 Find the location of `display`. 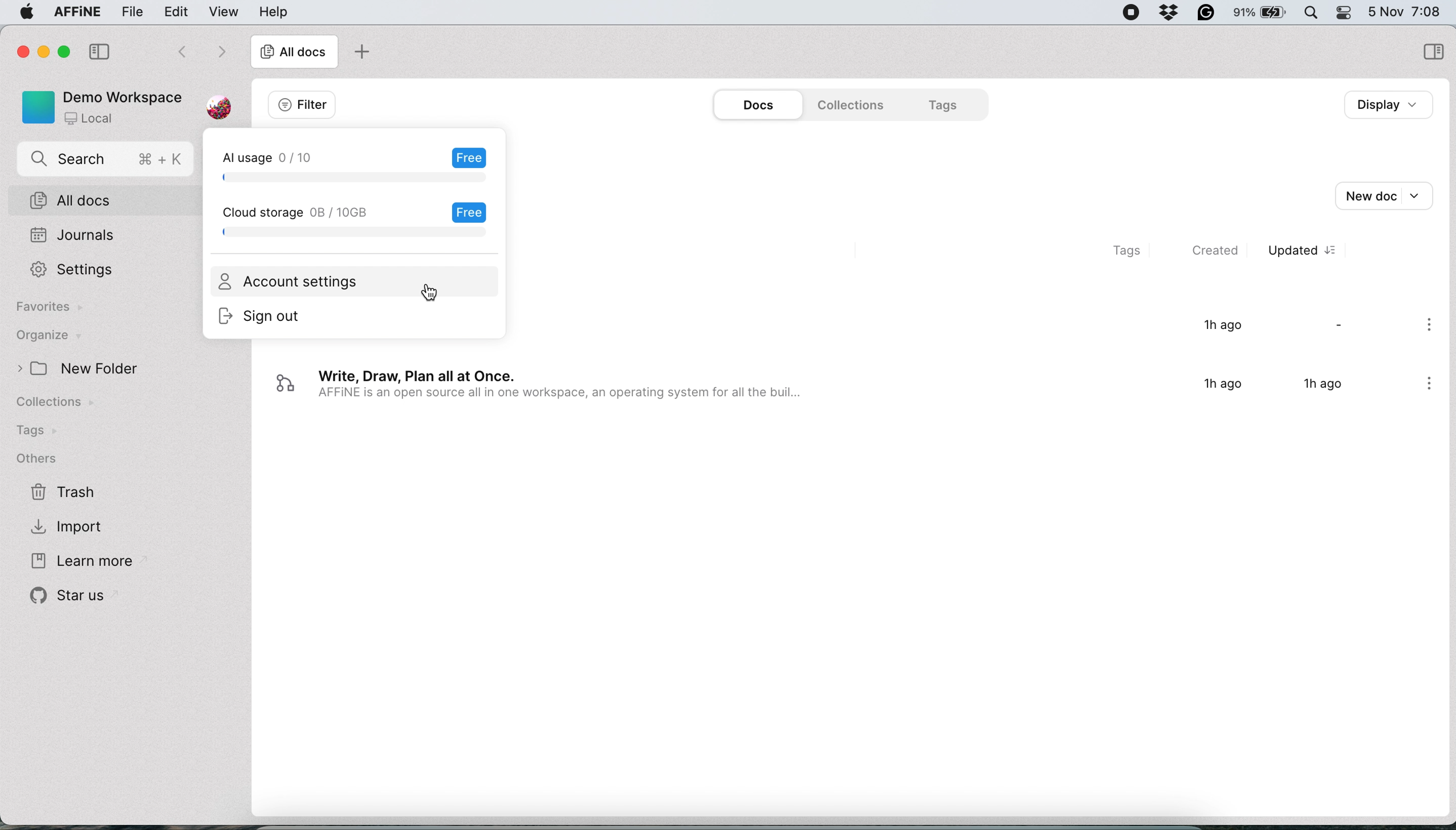

display is located at coordinates (1384, 104).